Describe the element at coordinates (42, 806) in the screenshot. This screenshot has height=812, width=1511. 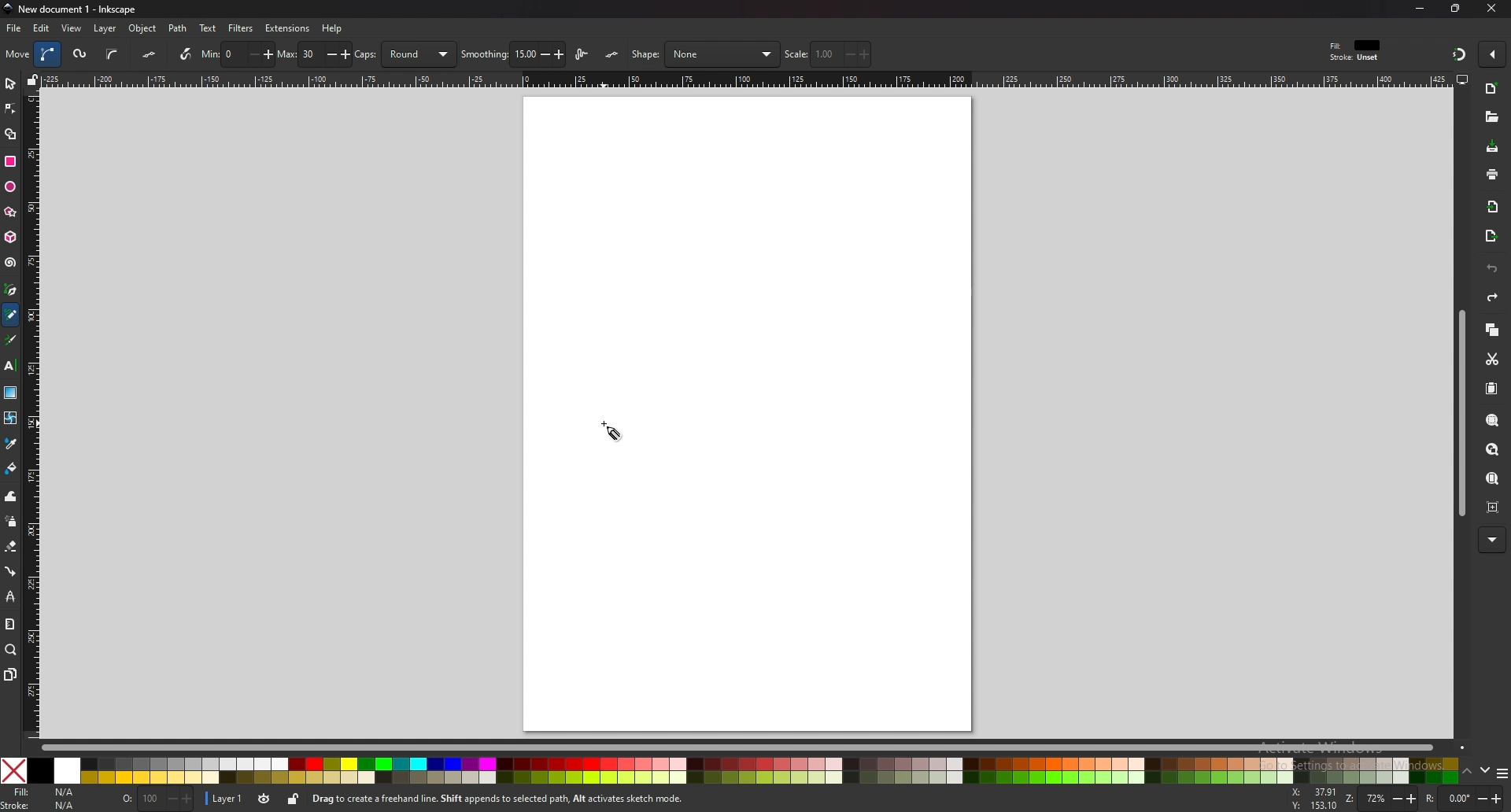
I see `stroke` at that location.